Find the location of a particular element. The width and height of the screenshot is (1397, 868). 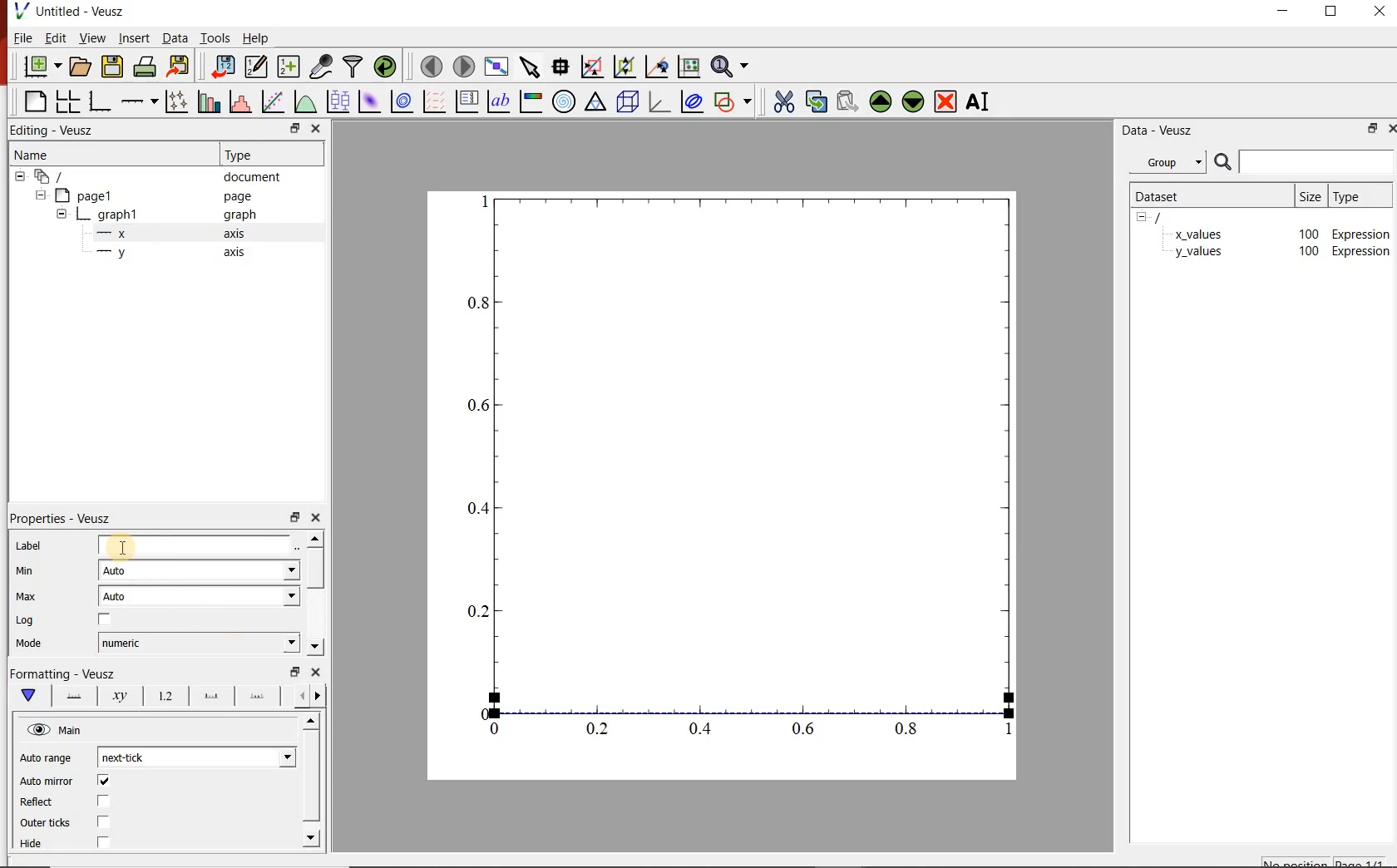

move up the the selected widget is located at coordinates (878, 103).